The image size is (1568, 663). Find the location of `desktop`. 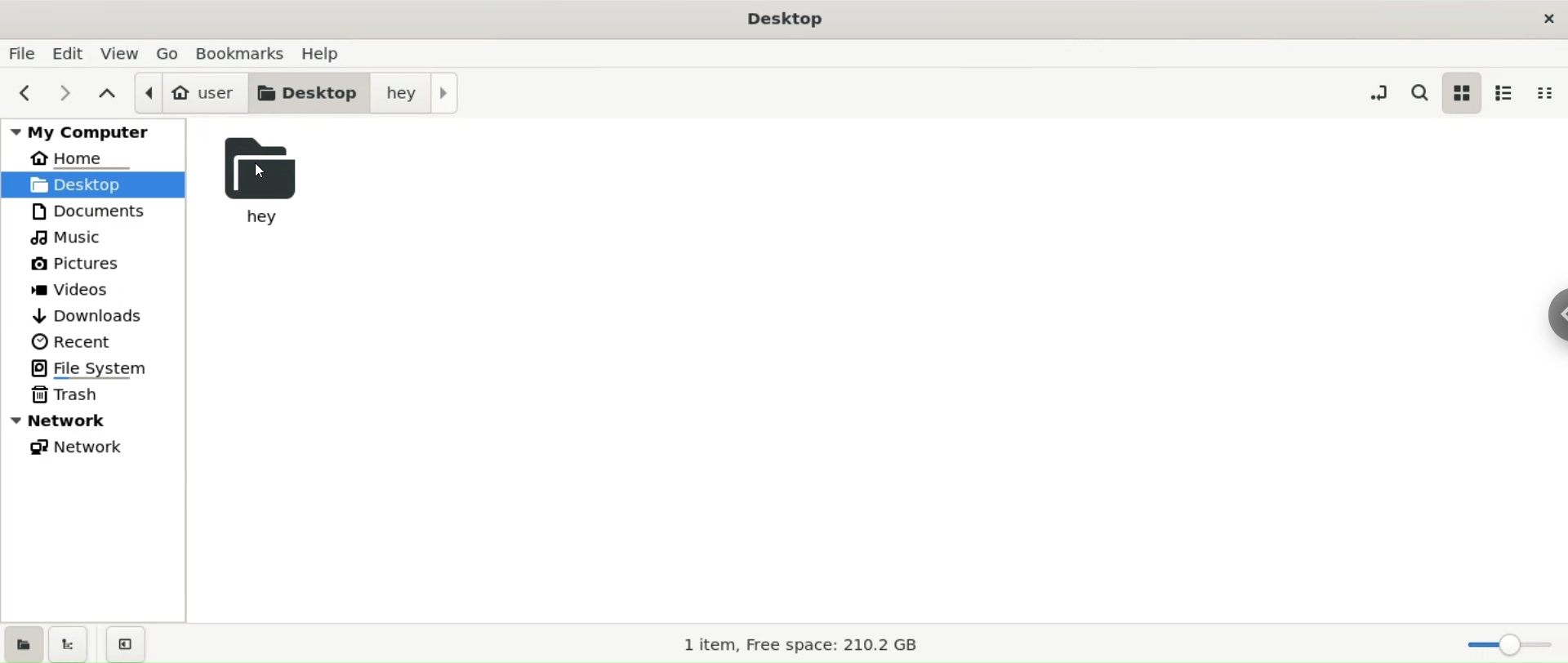

desktop is located at coordinates (310, 90).